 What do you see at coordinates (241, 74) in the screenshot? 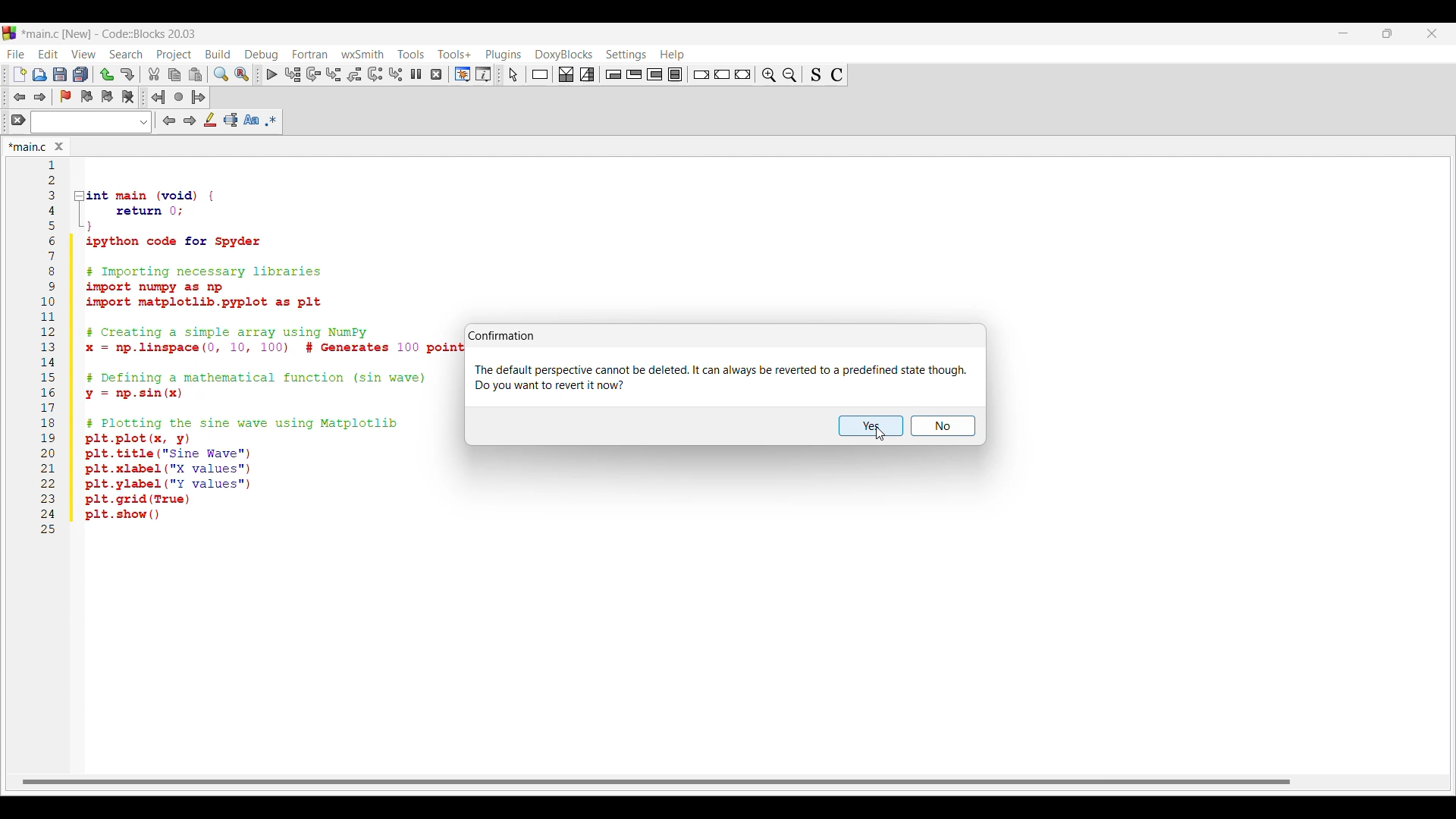
I see `Replace` at bounding box center [241, 74].